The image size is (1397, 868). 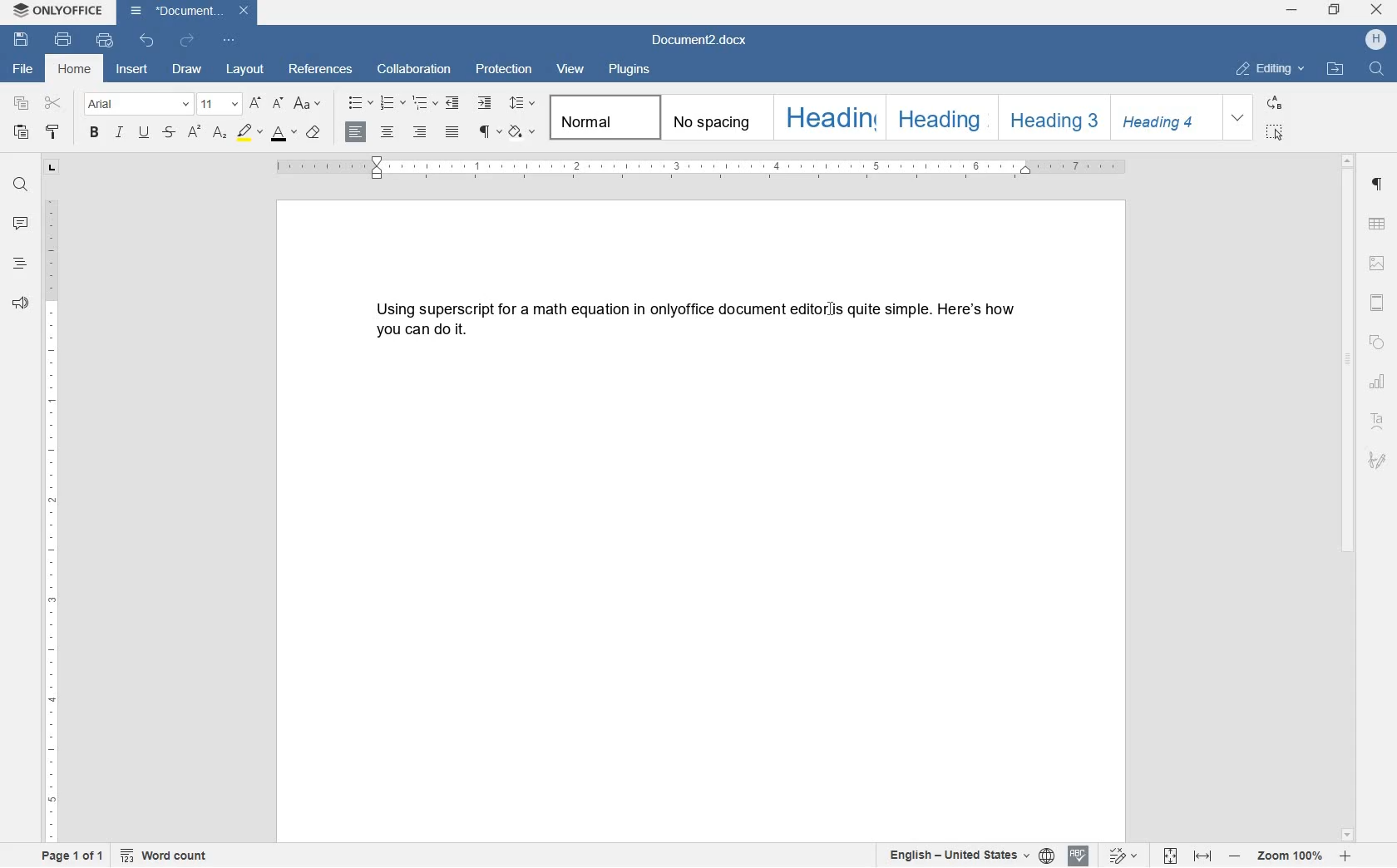 I want to click on align center, so click(x=390, y=132).